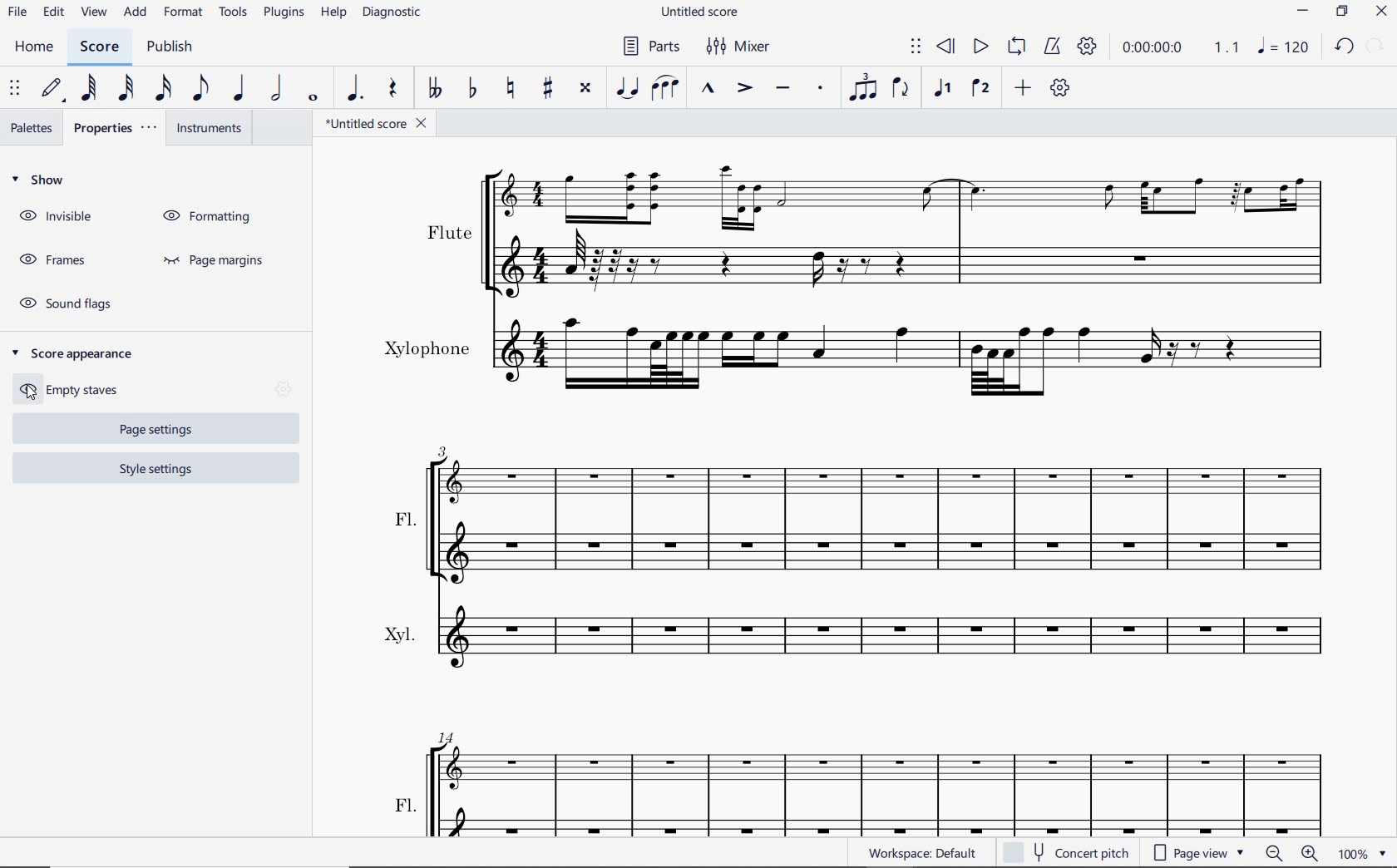 The width and height of the screenshot is (1397, 868). Describe the element at coordinates (29, 127) in the screenshot. I see `PALETTES` at that location.